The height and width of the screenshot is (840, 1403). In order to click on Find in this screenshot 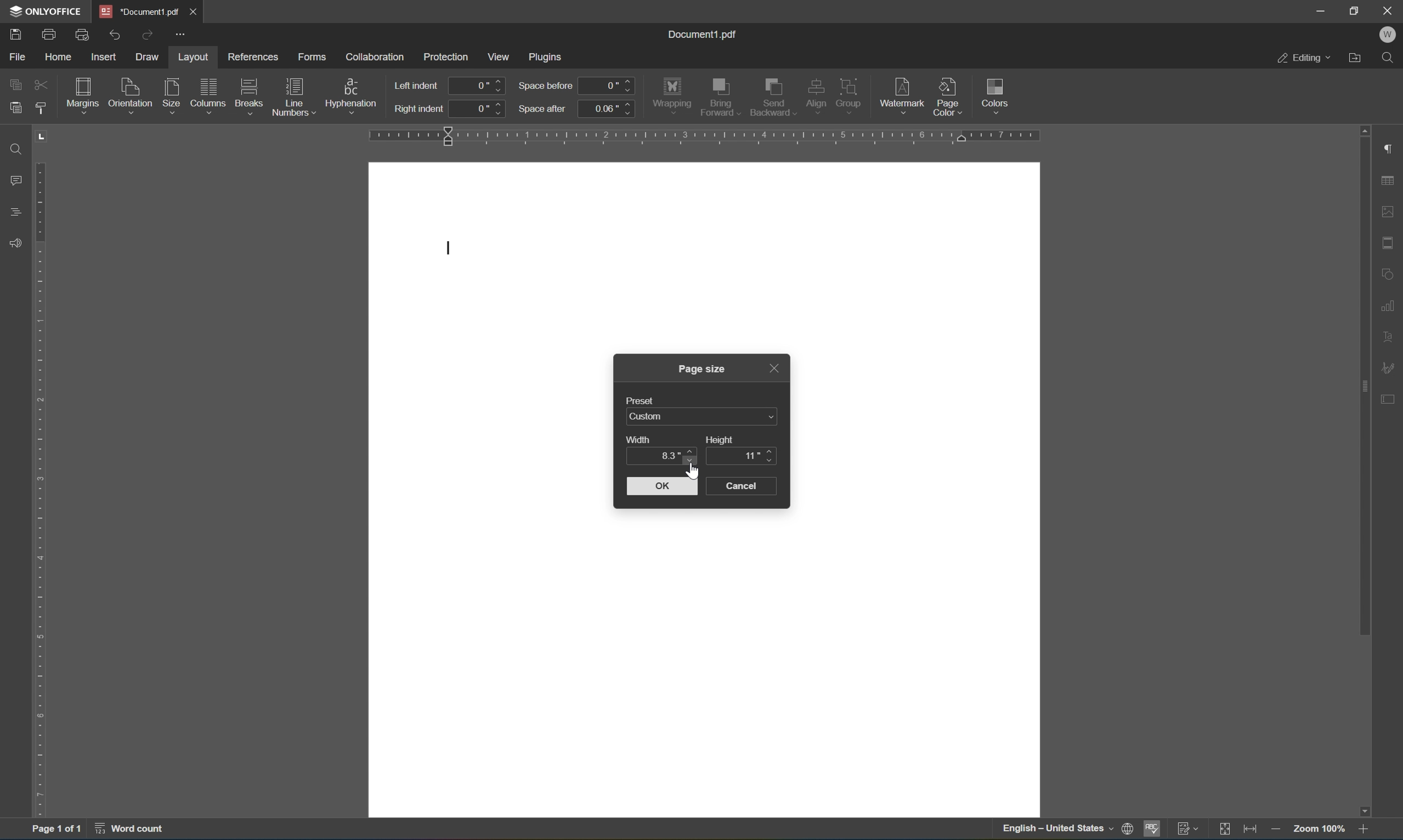, I will do `click(1392, 59)`.